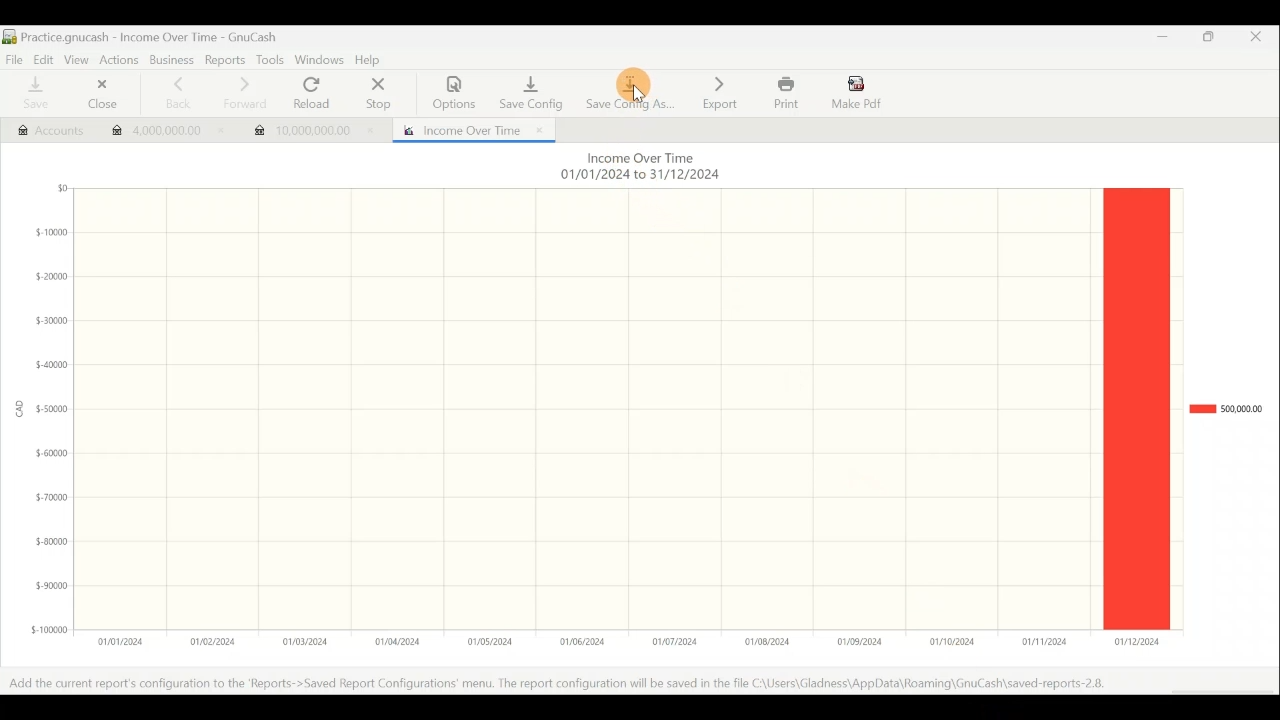 This screenshot has height=720, width=1280. What do you see at coordinates (33, 94) in the screenshot?
I see `Save` at bounding box center [33, 94].